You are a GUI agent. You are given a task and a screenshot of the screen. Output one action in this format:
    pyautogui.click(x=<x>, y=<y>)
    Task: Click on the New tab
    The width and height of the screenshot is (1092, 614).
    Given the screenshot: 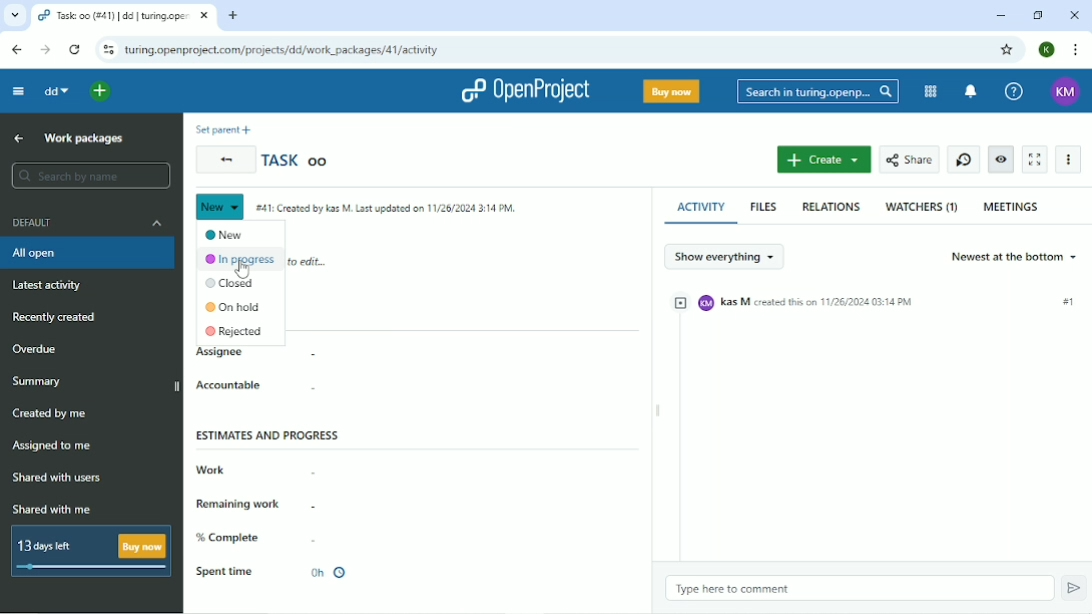 What is the action you would take?
    pyautogui.click(x=233, y=16)
    